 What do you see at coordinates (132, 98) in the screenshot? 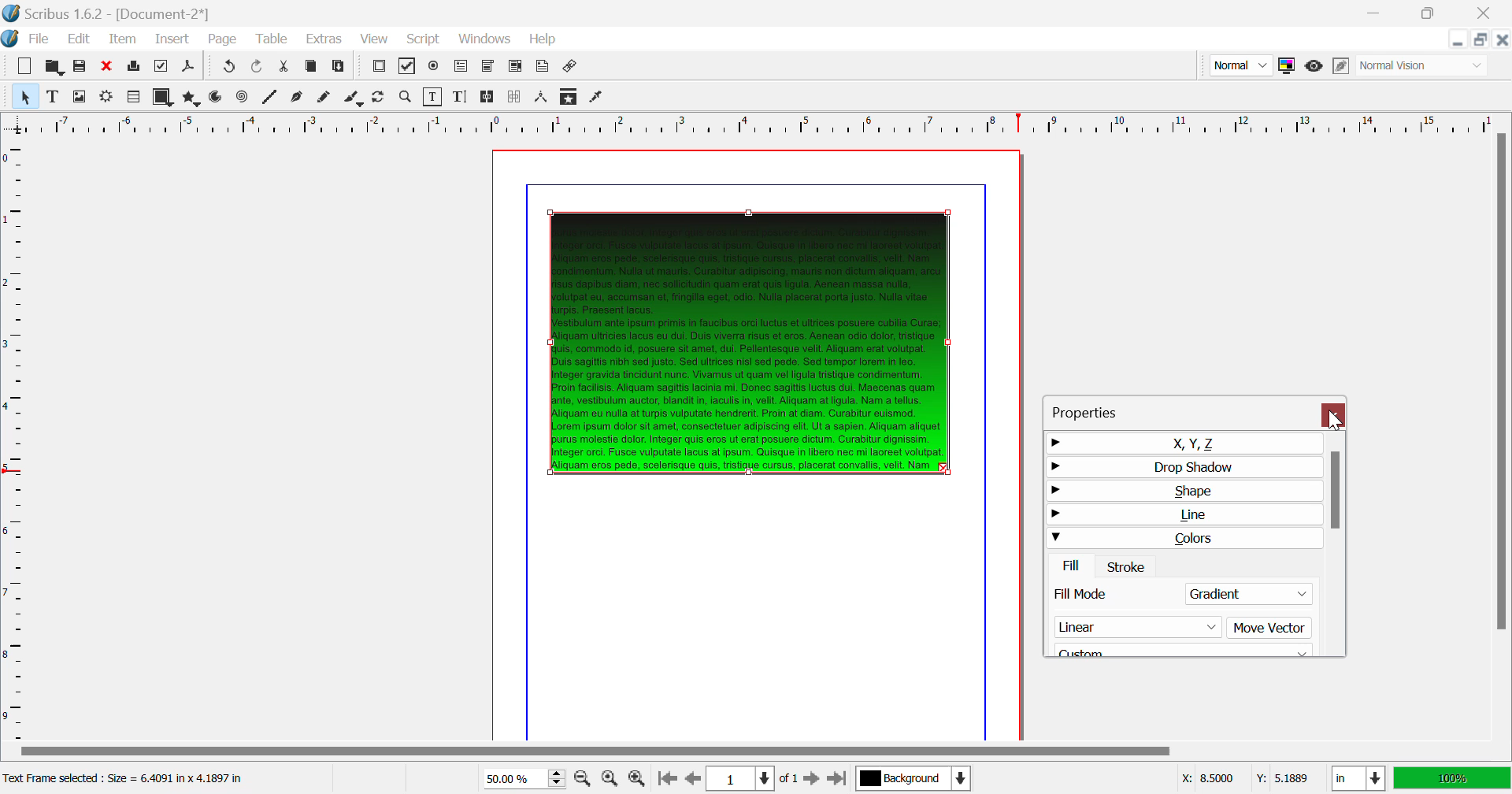
I see `Render Frame` at bounding box center [132, 98].